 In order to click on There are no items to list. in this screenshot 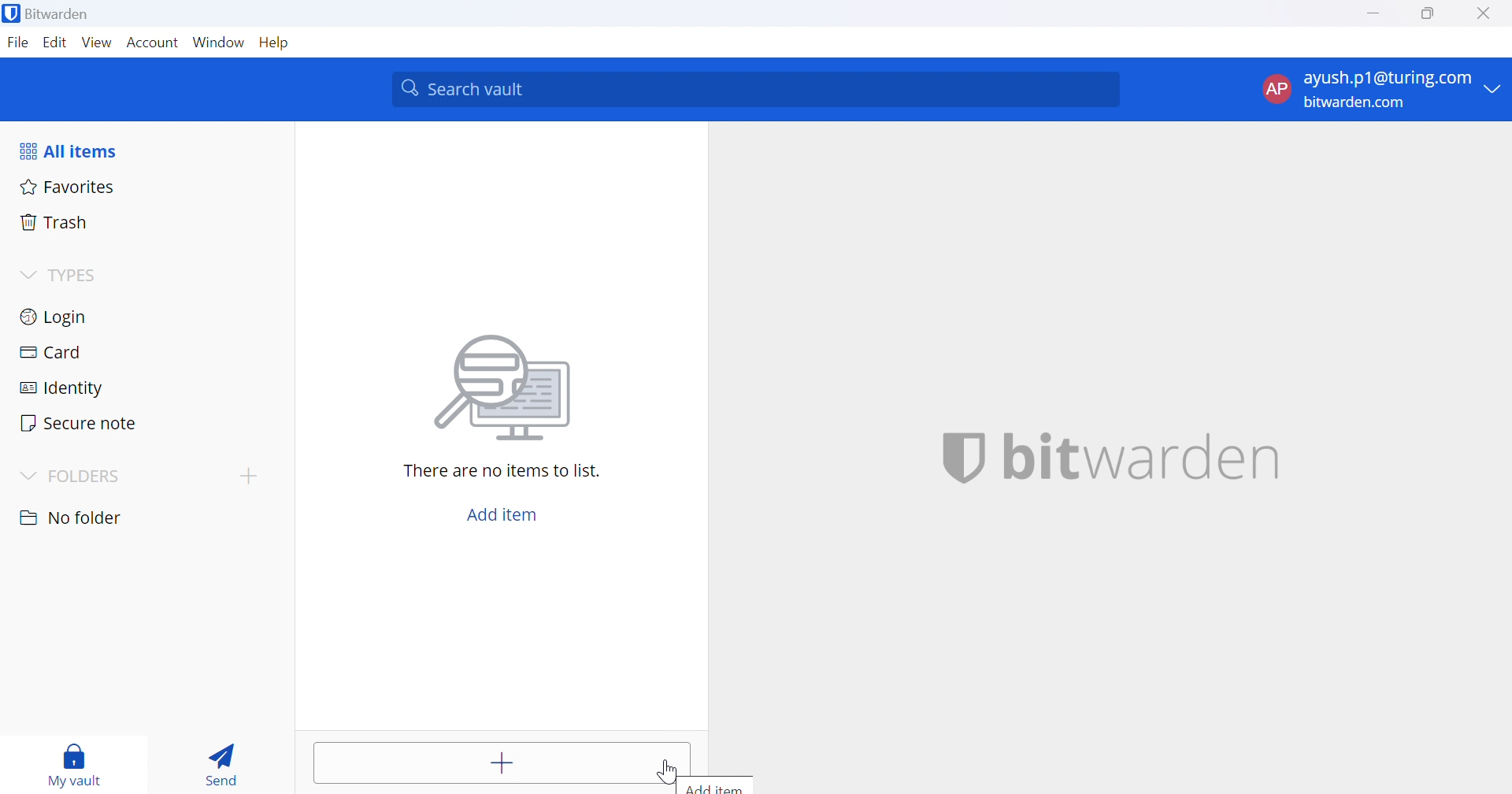, I will do `click(502, 471)`.